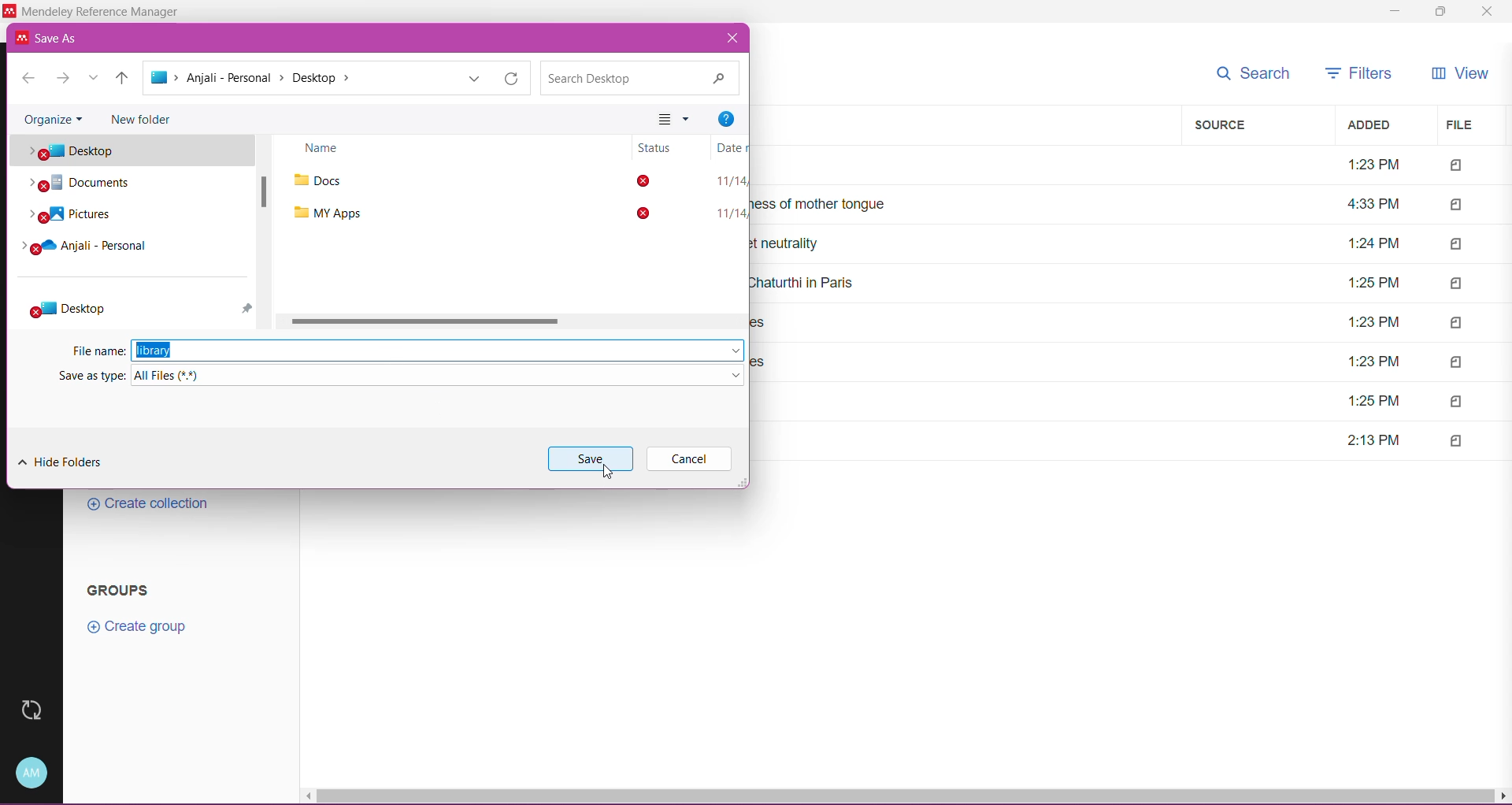  I want to click on Refresh the path, so click(509, 78).